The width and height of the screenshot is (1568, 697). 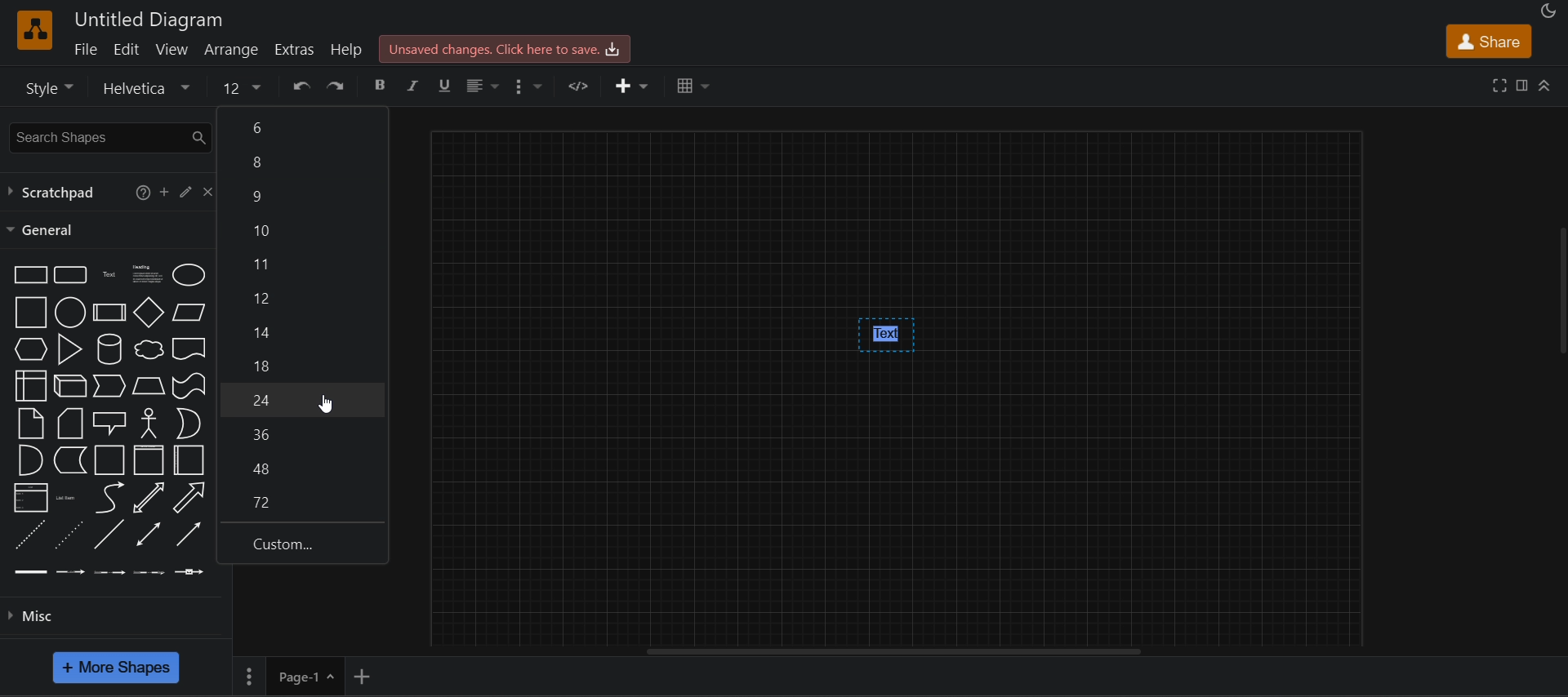 I want to click on 8, so click(x=302, y=364).